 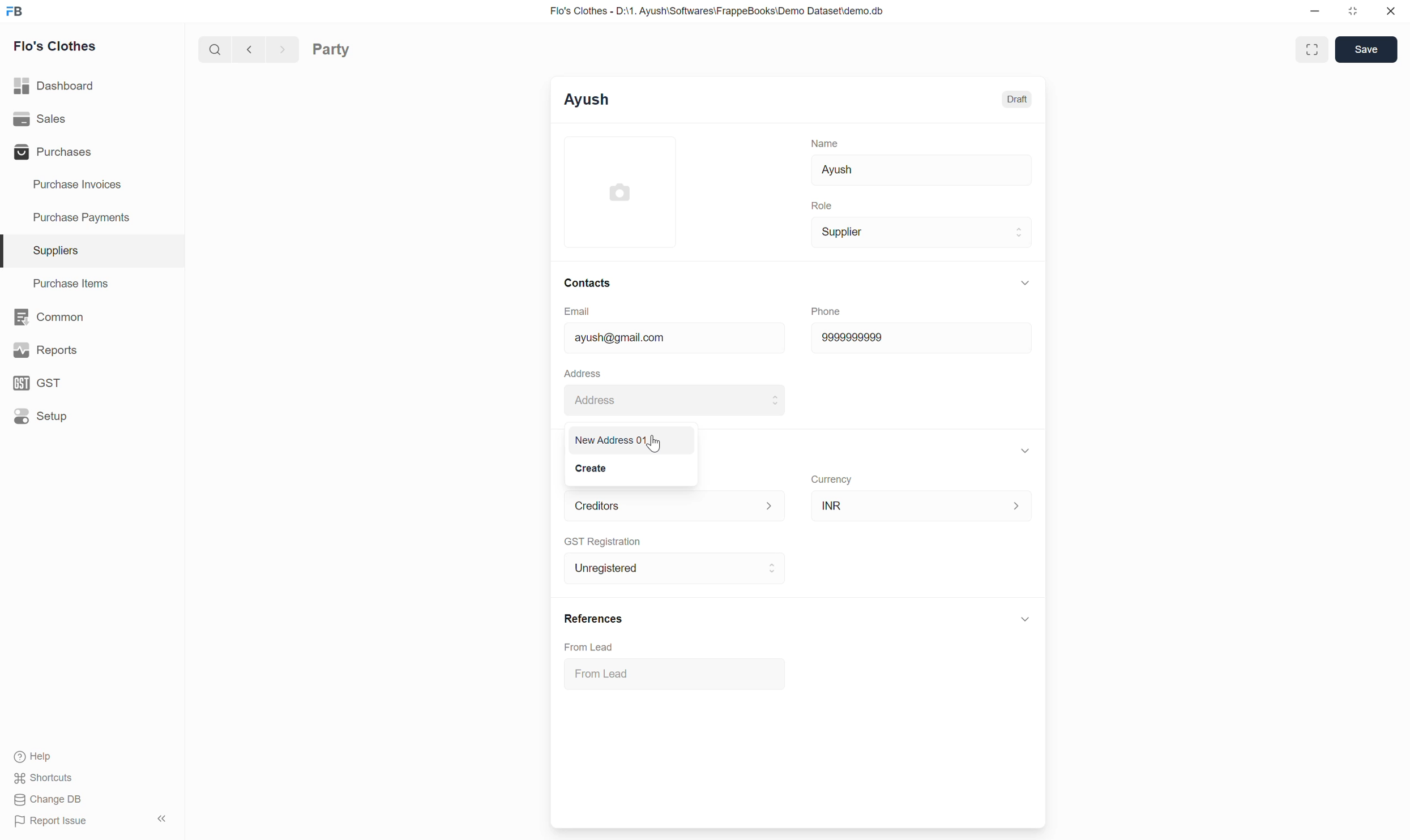 I want to click on Purchase Payments, so click(x=92, y=218).